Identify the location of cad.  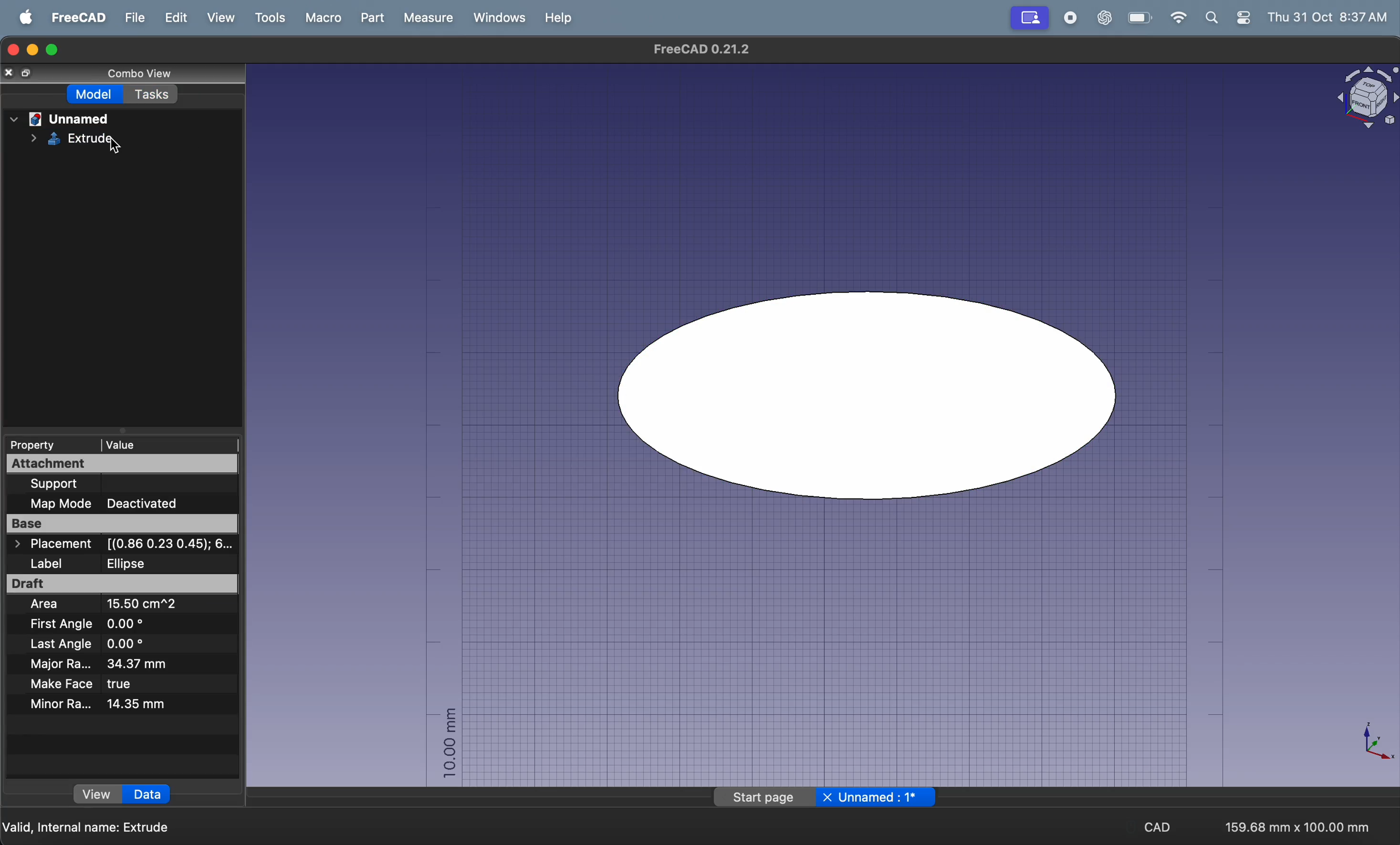
(1159, 825).